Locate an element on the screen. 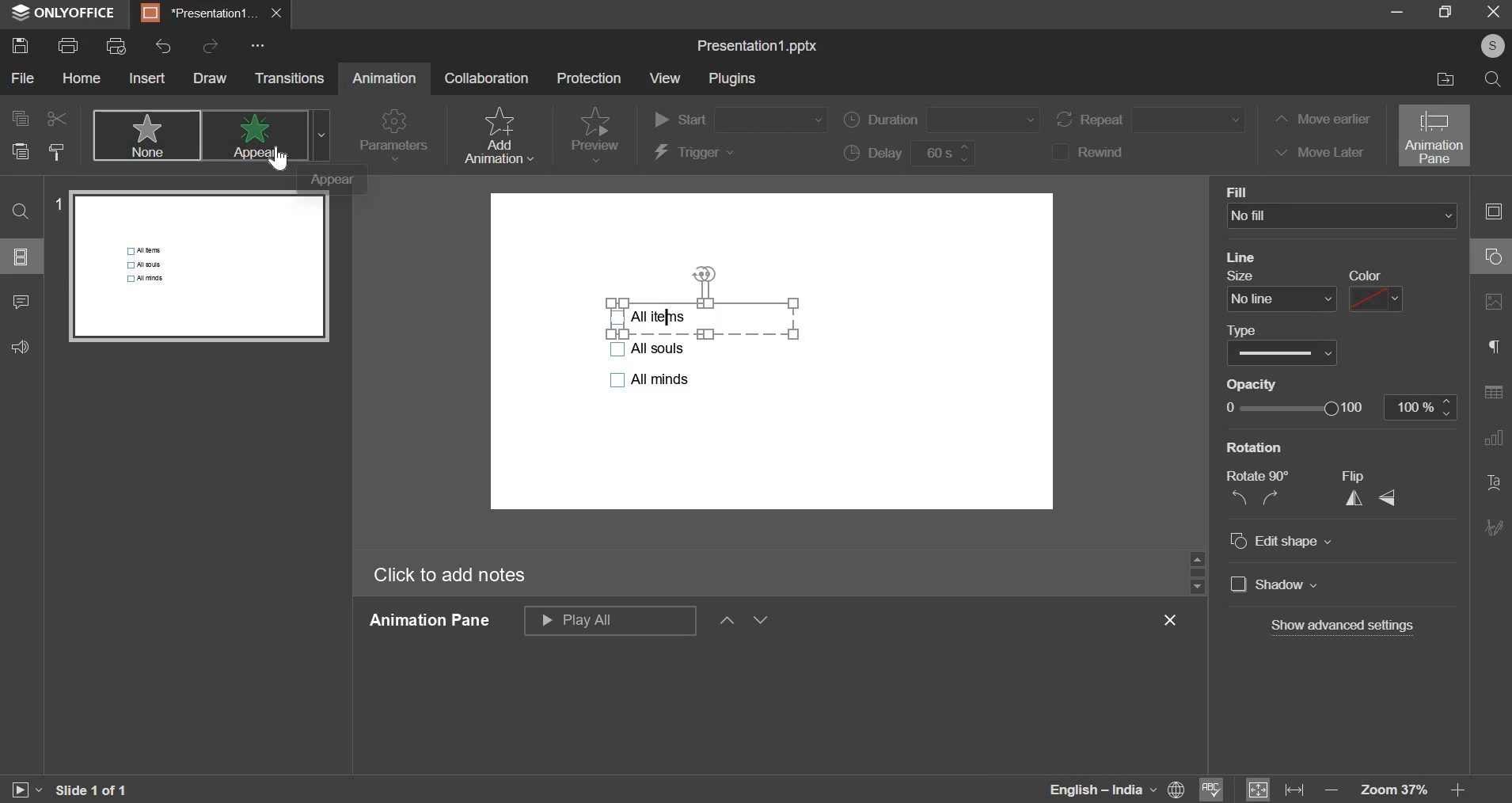  right side bar is located at coordinates (1493, 365).